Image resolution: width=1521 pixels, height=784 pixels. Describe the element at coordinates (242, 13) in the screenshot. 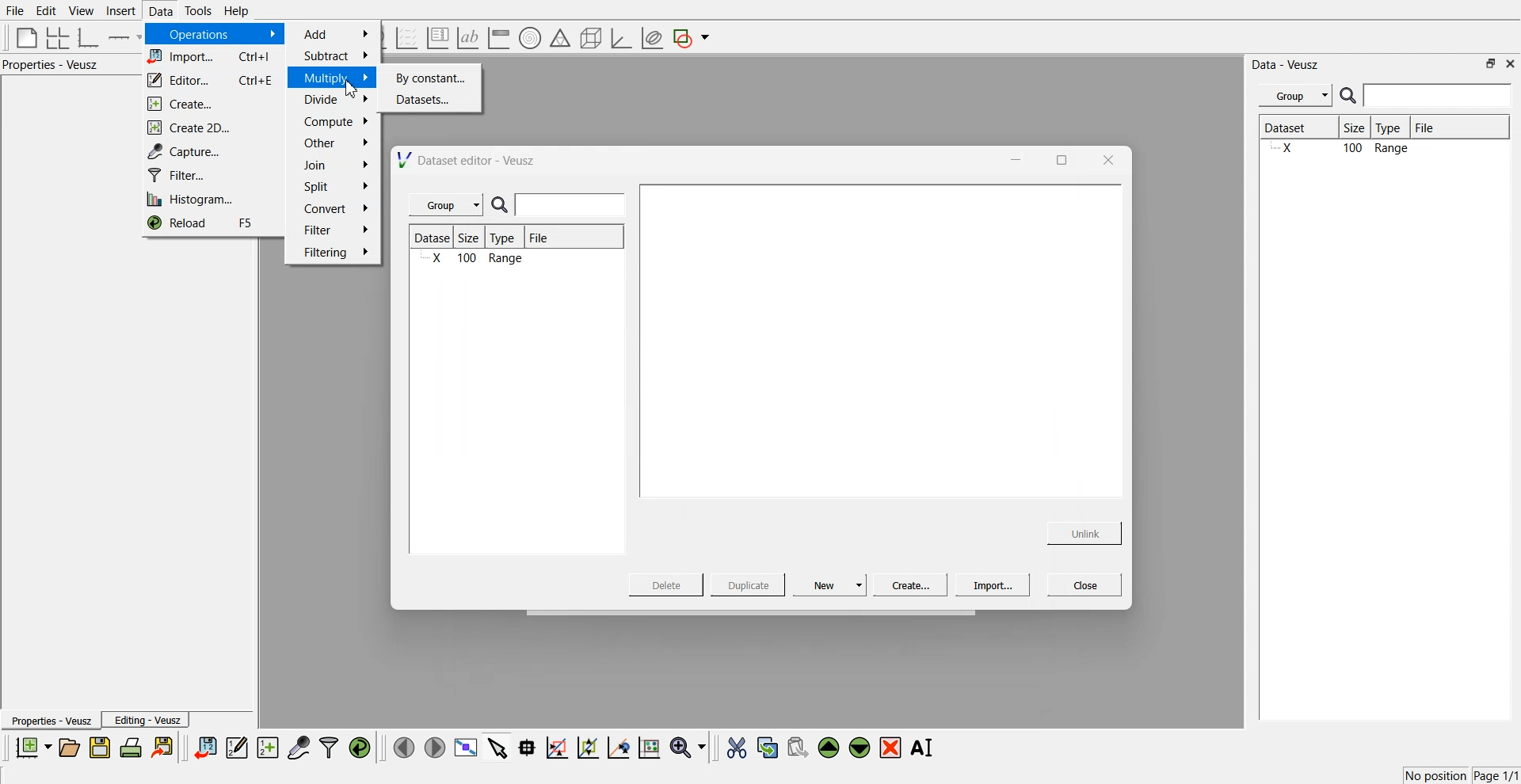

I see `Help` at that location.